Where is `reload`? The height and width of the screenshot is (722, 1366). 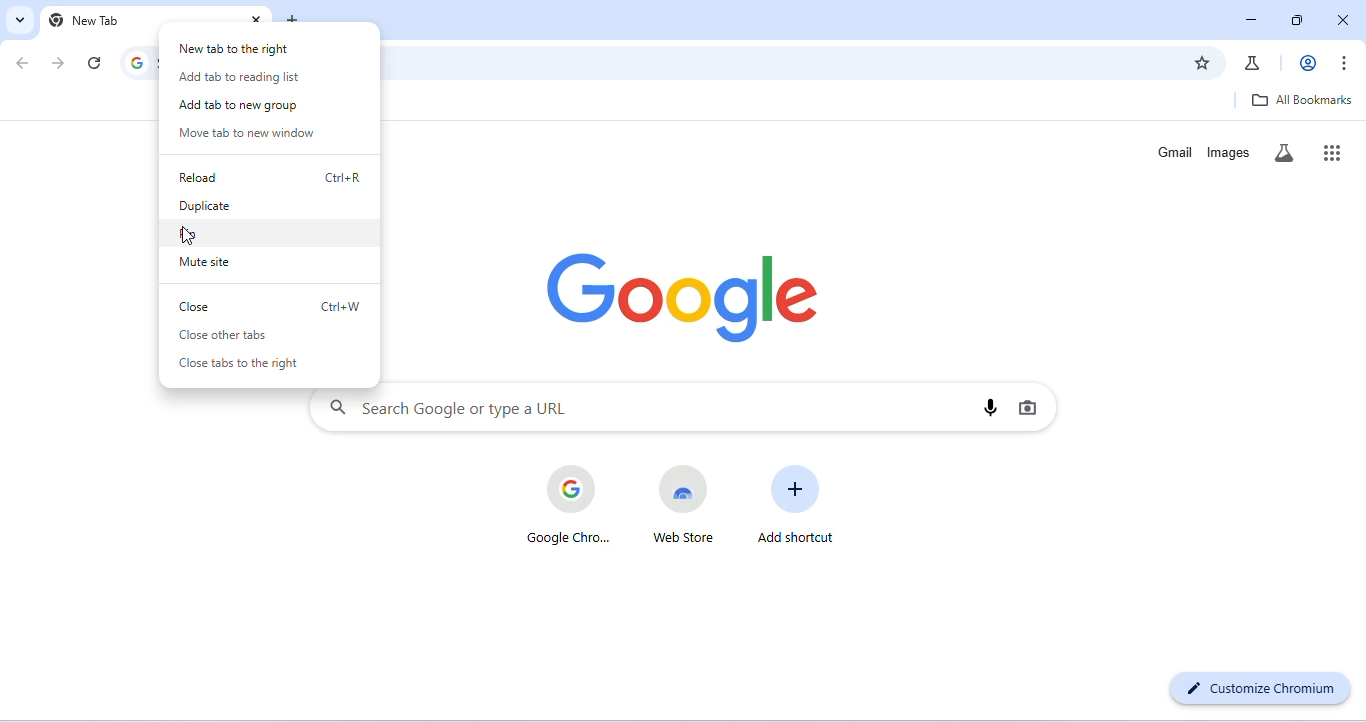 reload is located at coordinates (271, 178).